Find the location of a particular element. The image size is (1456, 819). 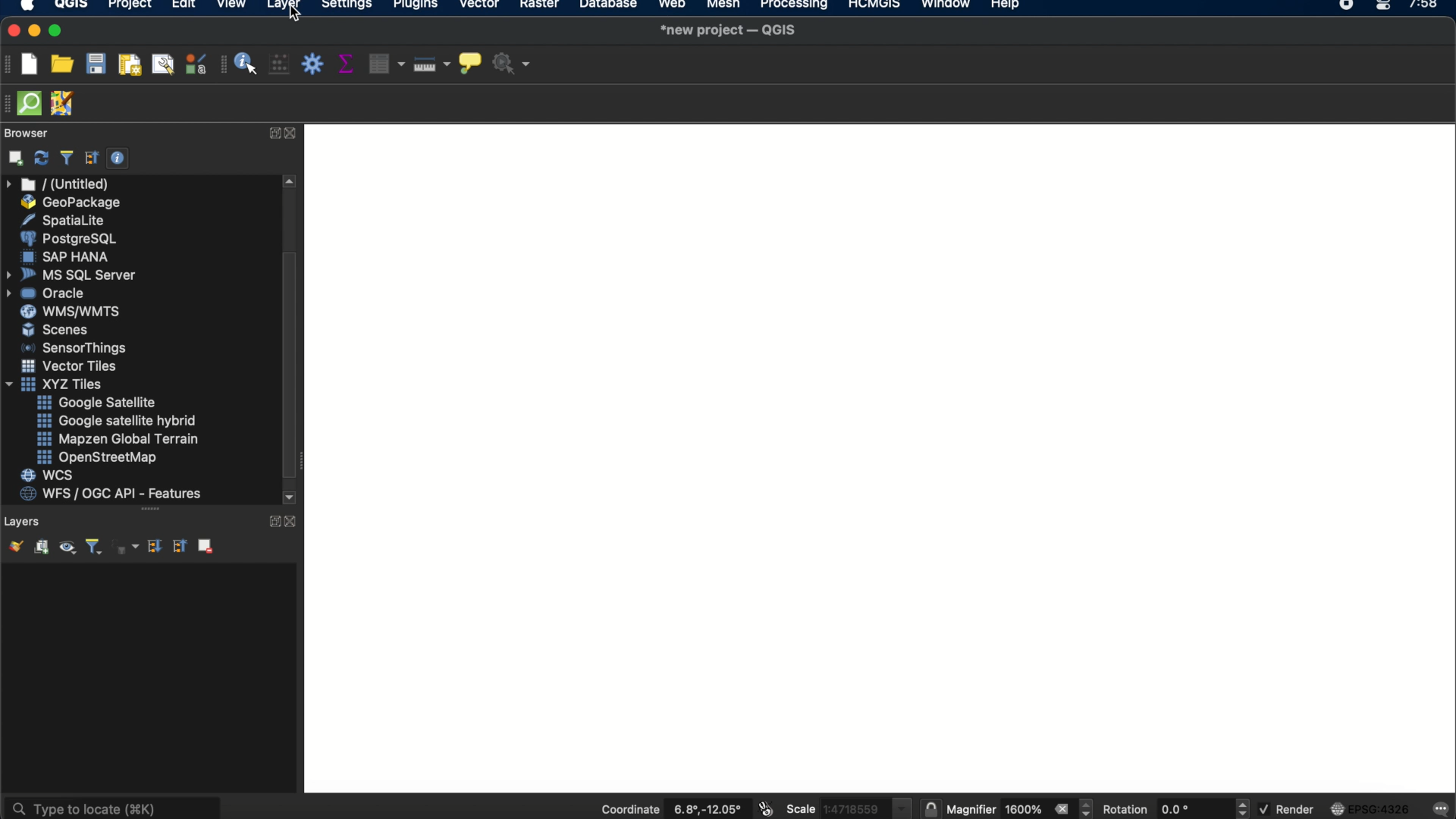

mapzen global terrain is located at coordinates (118, 439).